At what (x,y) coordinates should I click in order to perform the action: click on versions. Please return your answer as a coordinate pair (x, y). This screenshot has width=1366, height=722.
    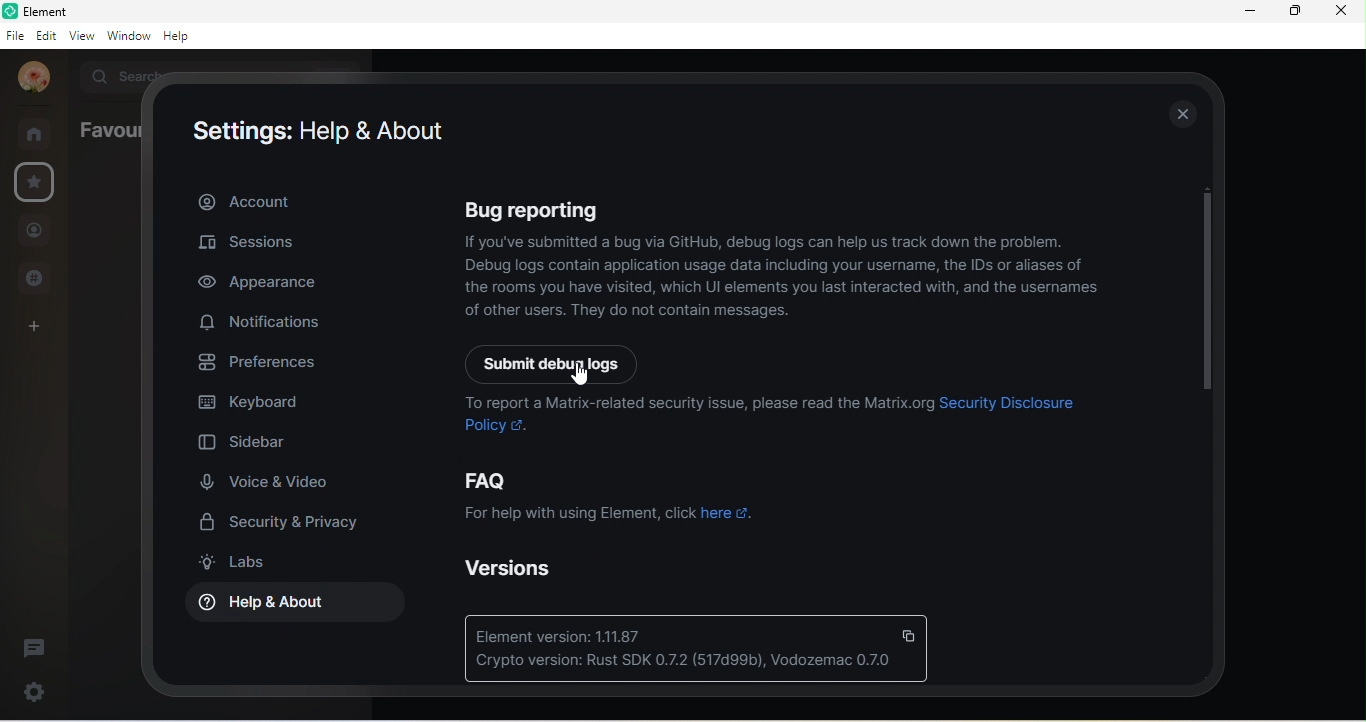
    Looking at the image, I should click on (514, 569).